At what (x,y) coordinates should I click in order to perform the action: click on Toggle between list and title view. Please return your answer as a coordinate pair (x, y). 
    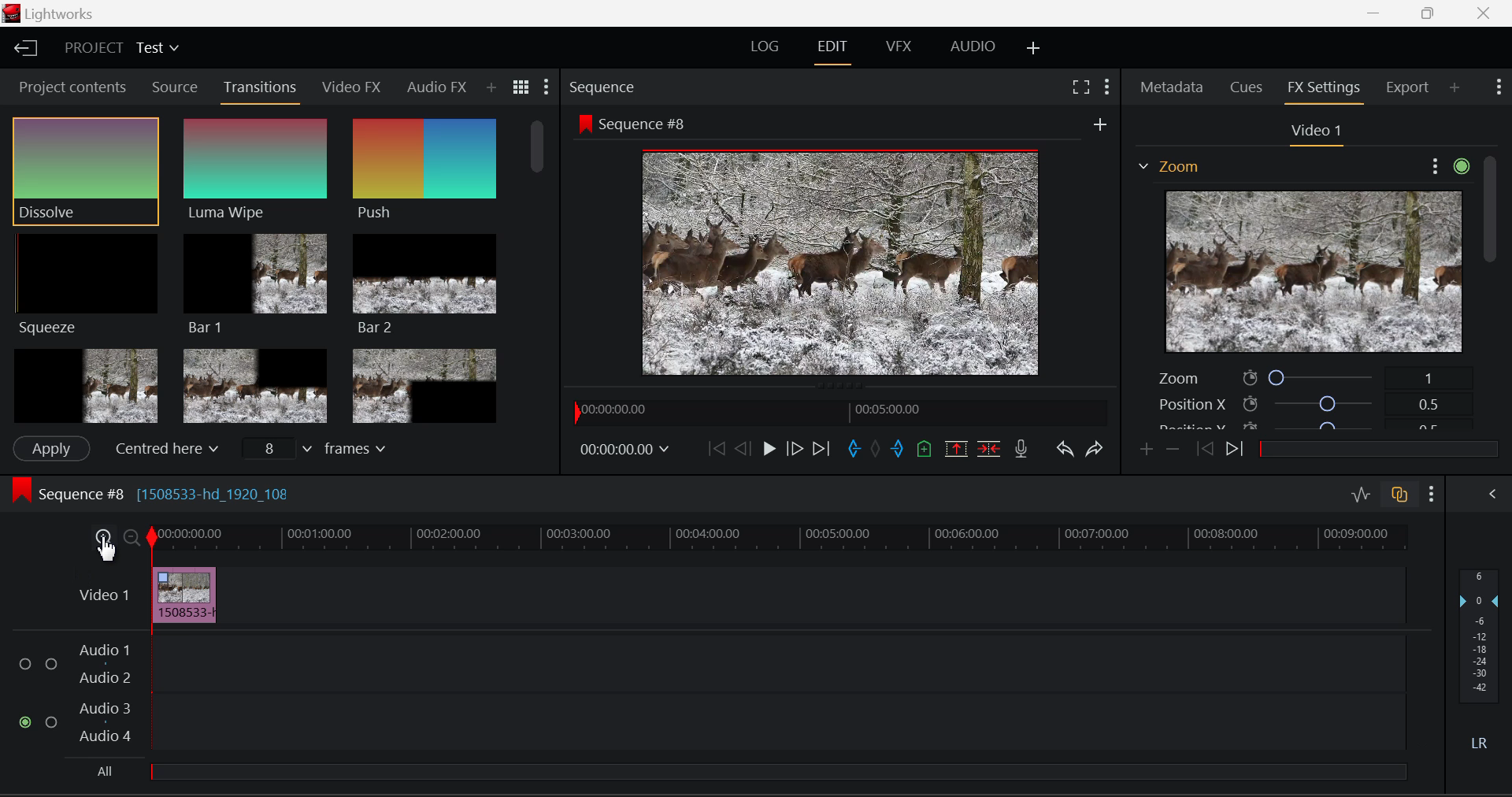
    Looking at the image, I should click on (519, 87).